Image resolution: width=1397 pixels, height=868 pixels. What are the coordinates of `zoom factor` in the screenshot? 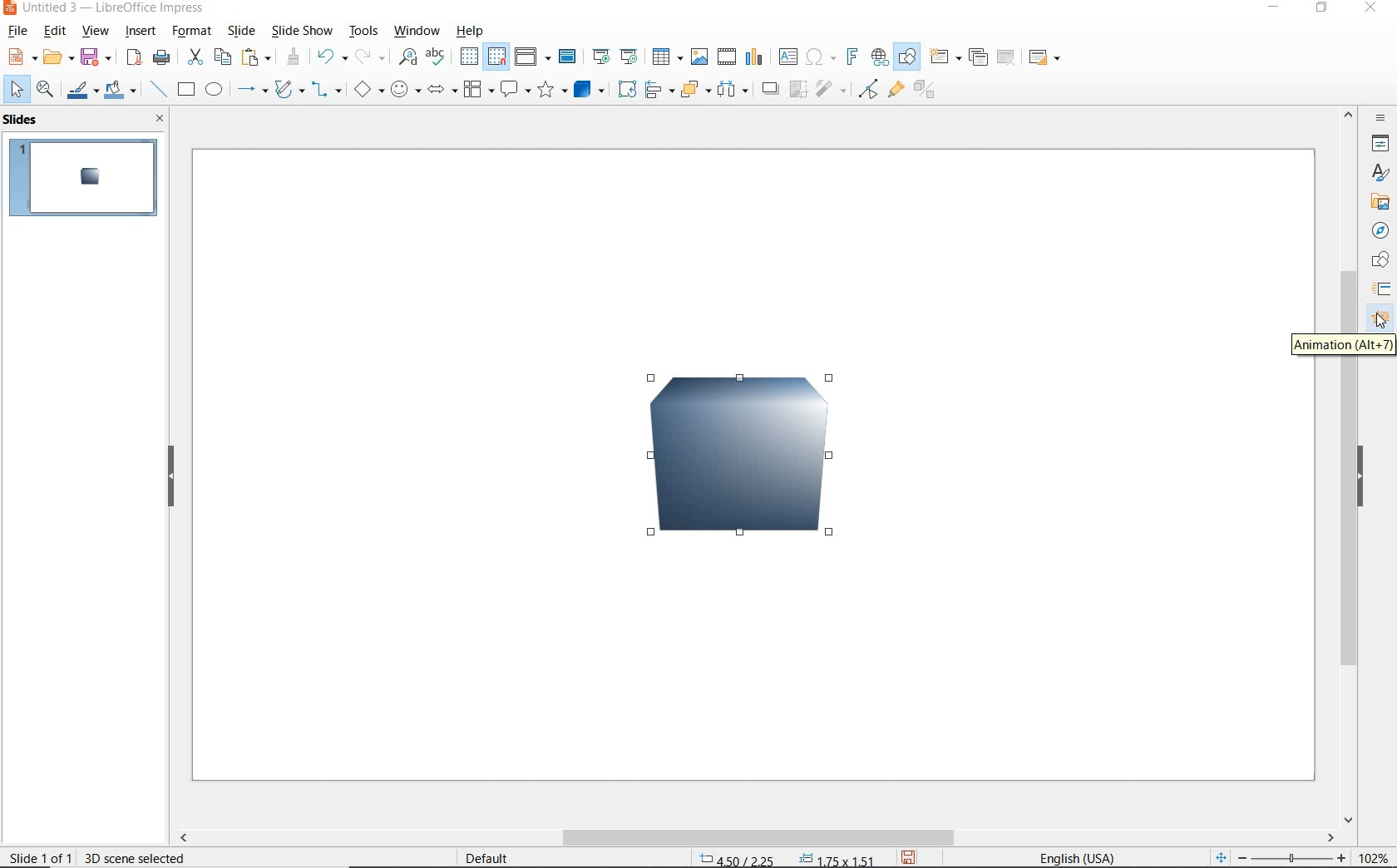 It's located at (1375, 856).